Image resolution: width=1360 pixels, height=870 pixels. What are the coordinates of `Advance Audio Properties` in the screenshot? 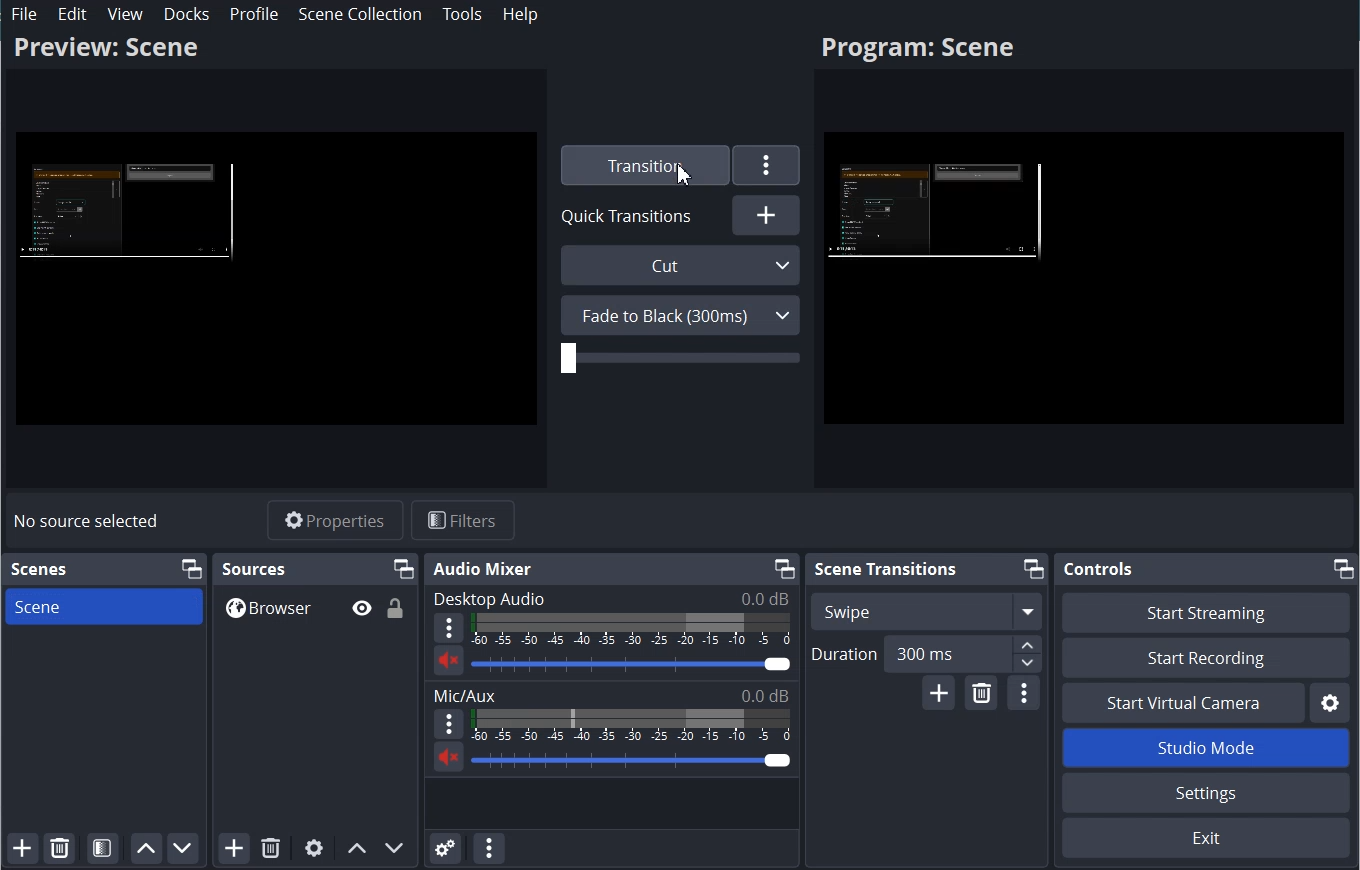 It's located at (445, 848).